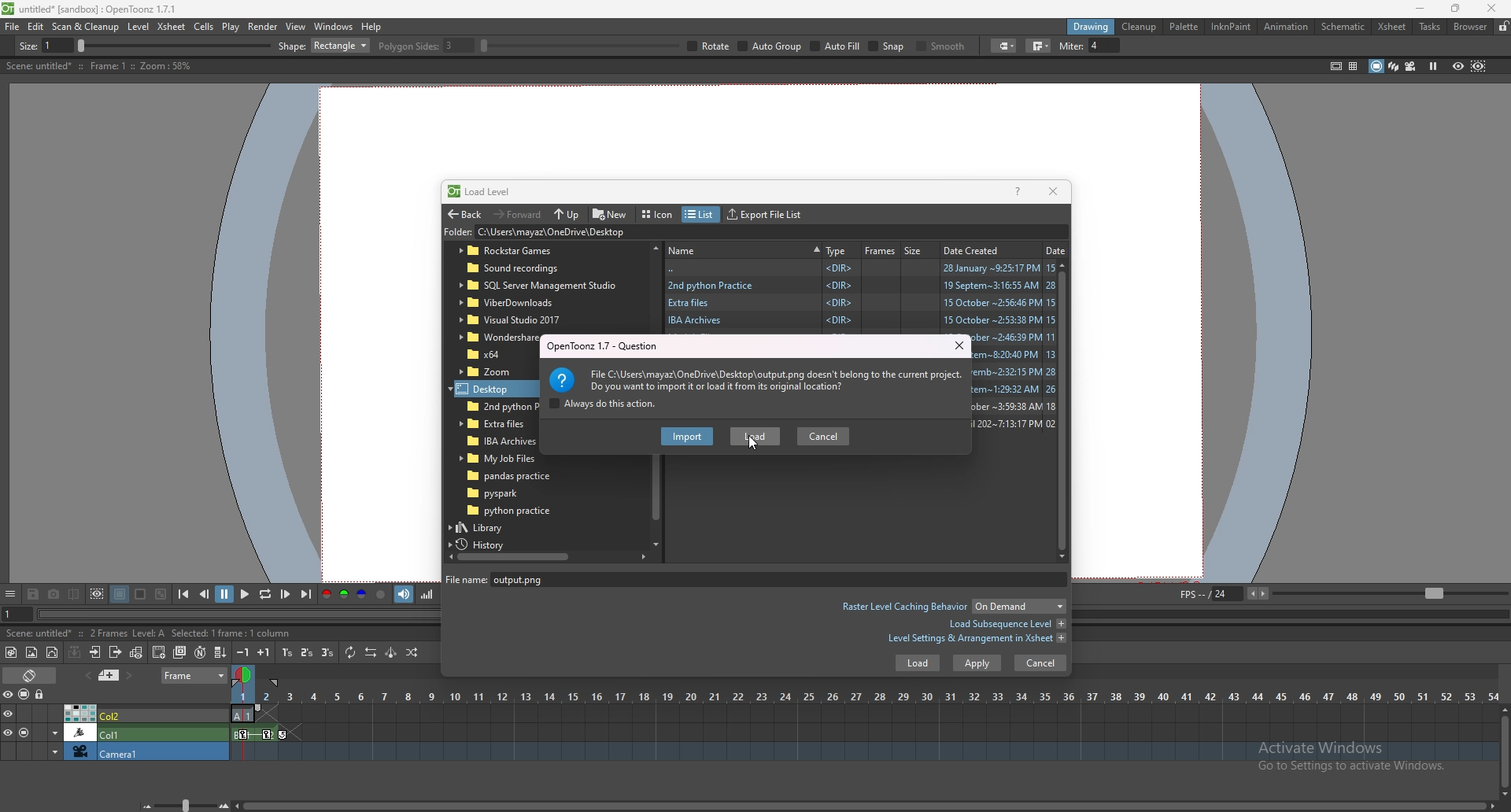 This screenshot has height=812, width=1511. I want to click on scroll bar, so click(865, 806).